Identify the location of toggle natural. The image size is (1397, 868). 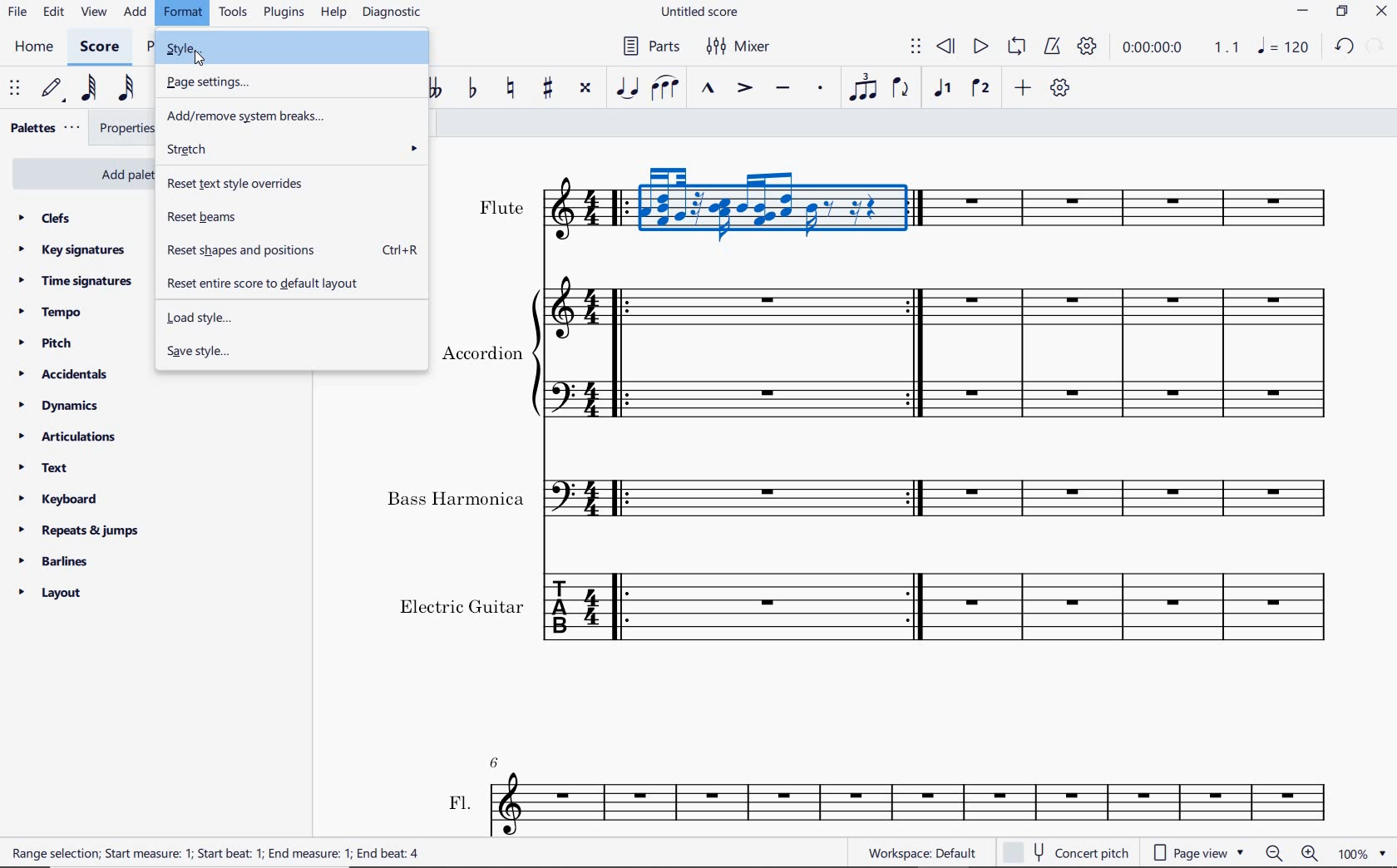
(508, 91).